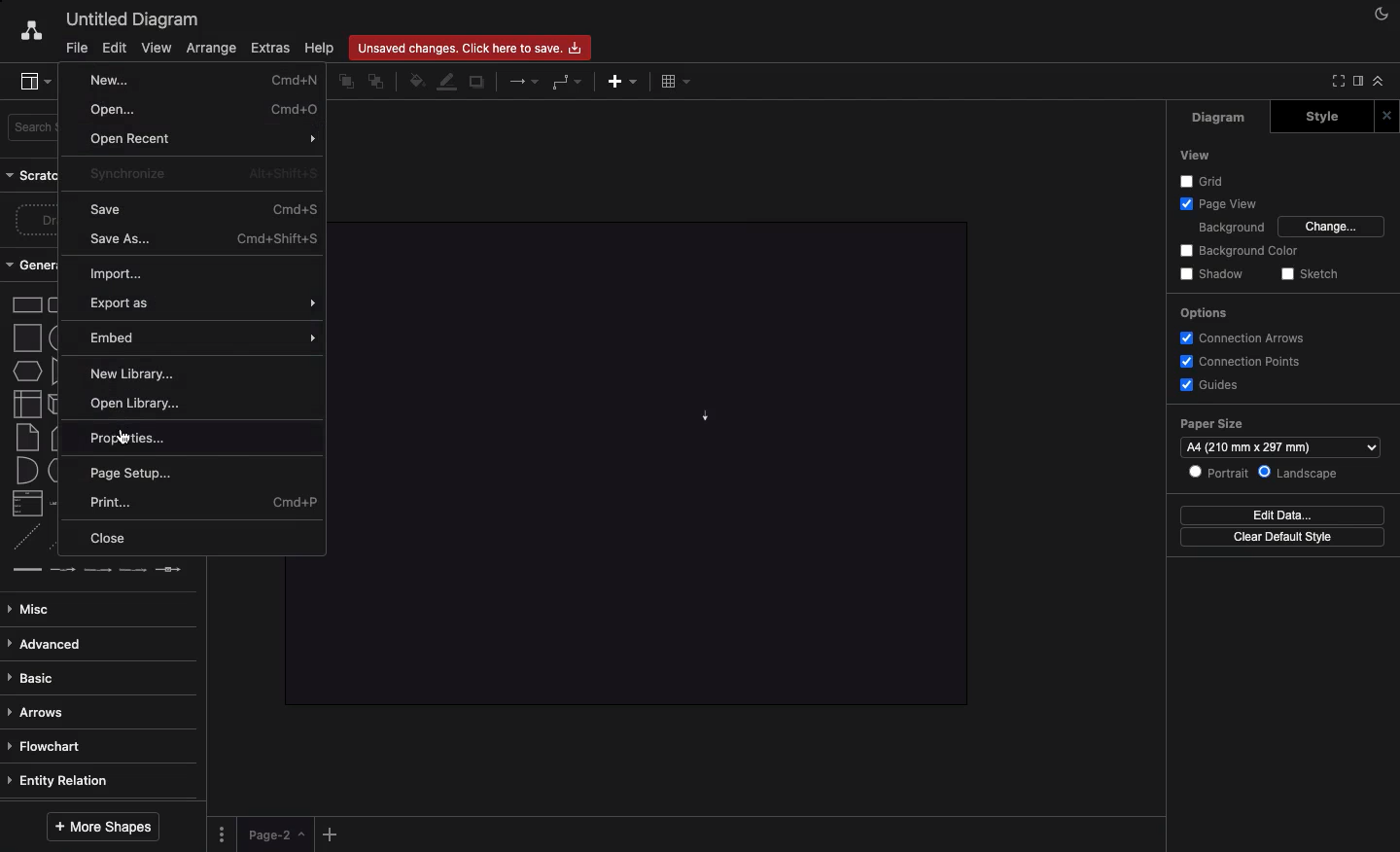 The image size is (1400, 852). What do you see at coordinates (471, 47) in the screenshot?
I see `Unsaved changes. Click here to save` at bounding box center [471, 47].